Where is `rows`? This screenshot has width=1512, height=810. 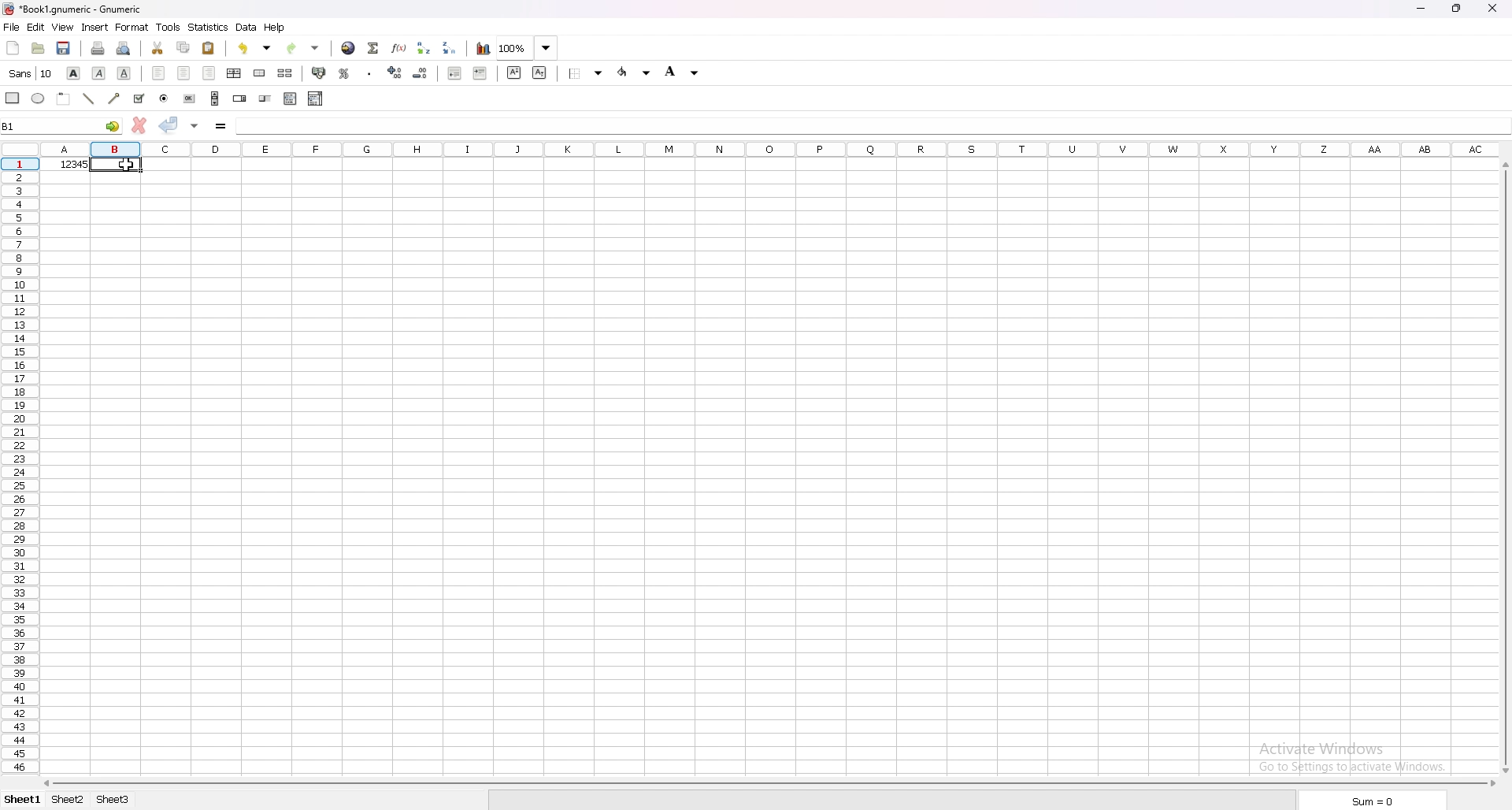 rows is located at coordinates (19, 472).